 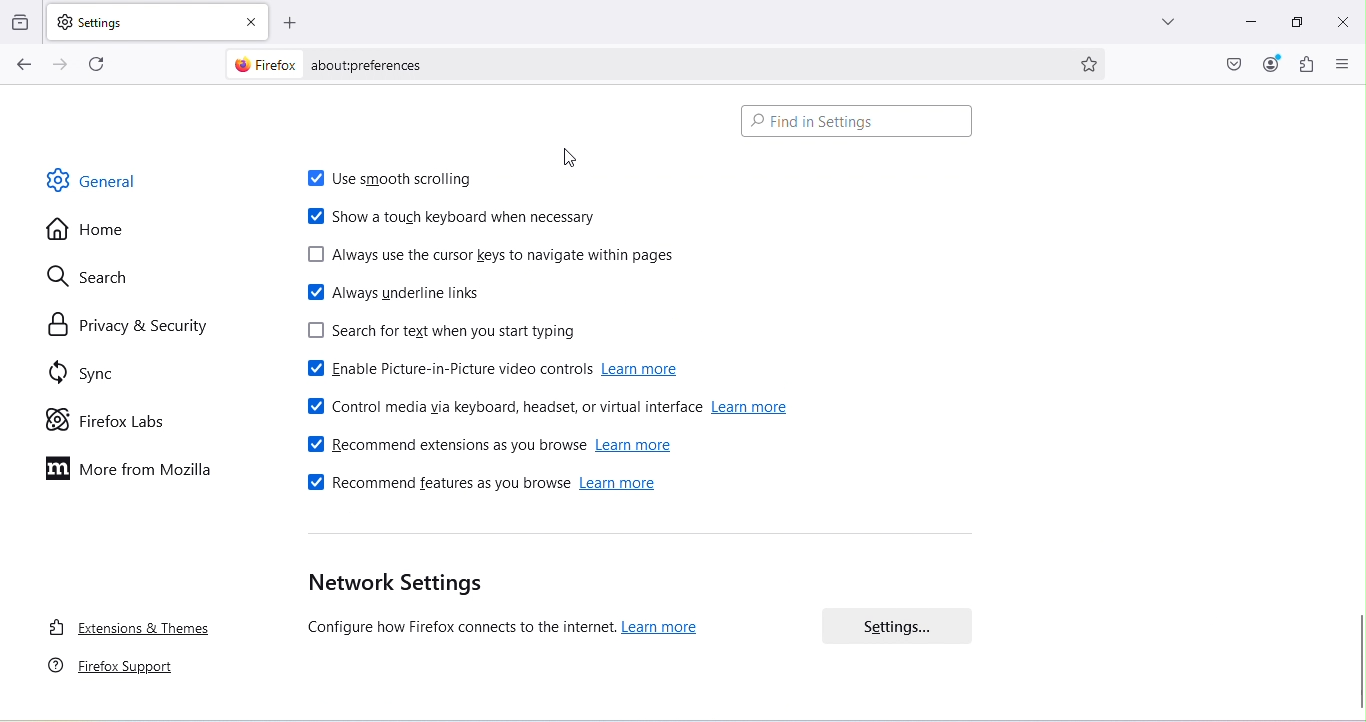 What do you see at coordinates (453, 608) in the screenshot?
I see `Network settings` at bounding box center [453, 608].